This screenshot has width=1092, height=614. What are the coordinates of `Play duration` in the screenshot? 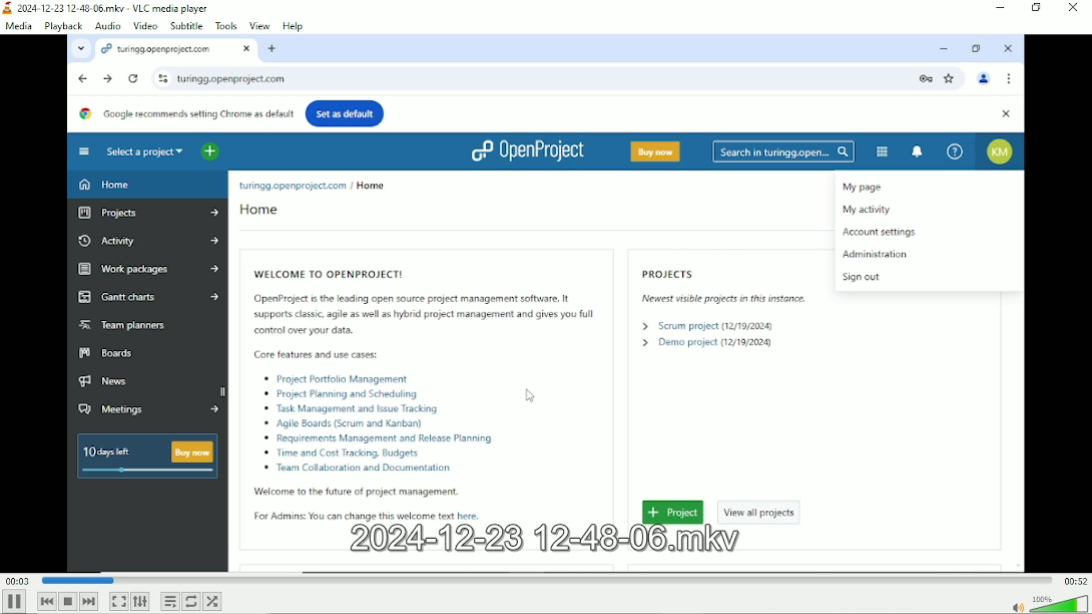 It's located at (543, 581).